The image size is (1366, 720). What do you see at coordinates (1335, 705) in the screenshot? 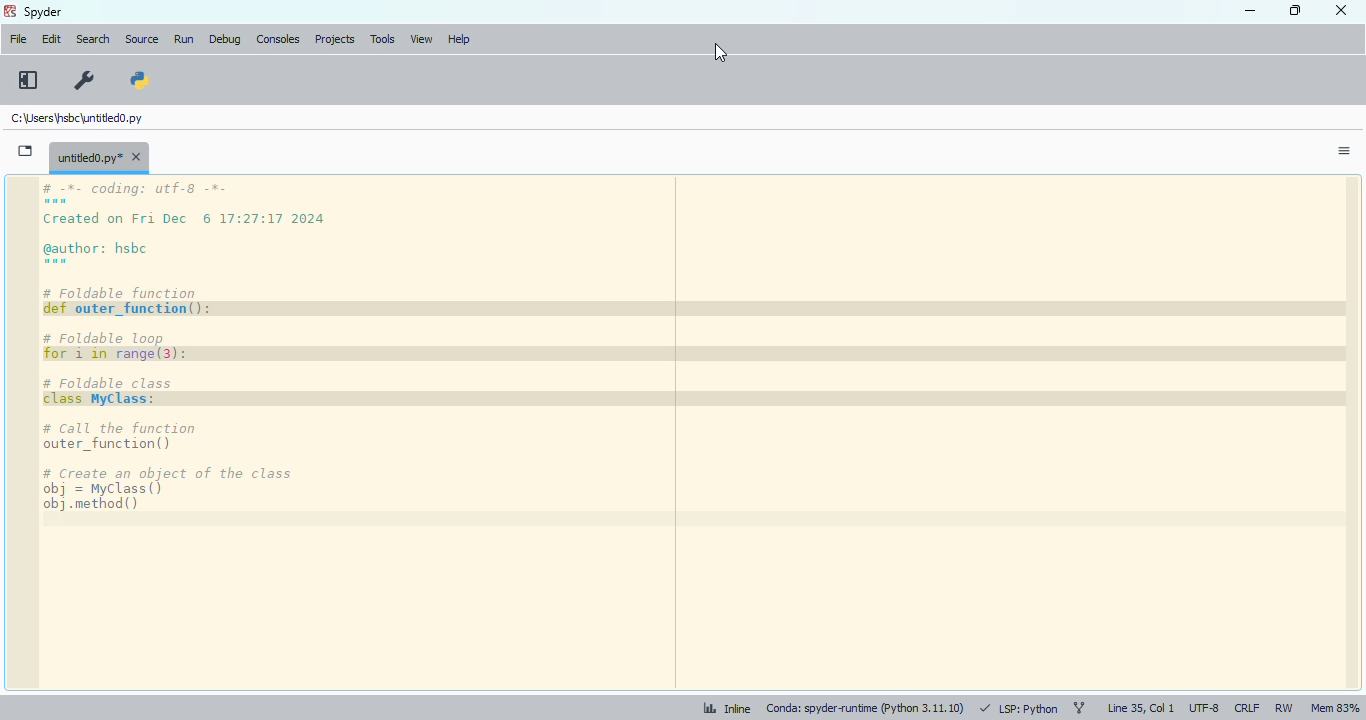
I see `Mem 83%` at bounding box center [1335, 705].